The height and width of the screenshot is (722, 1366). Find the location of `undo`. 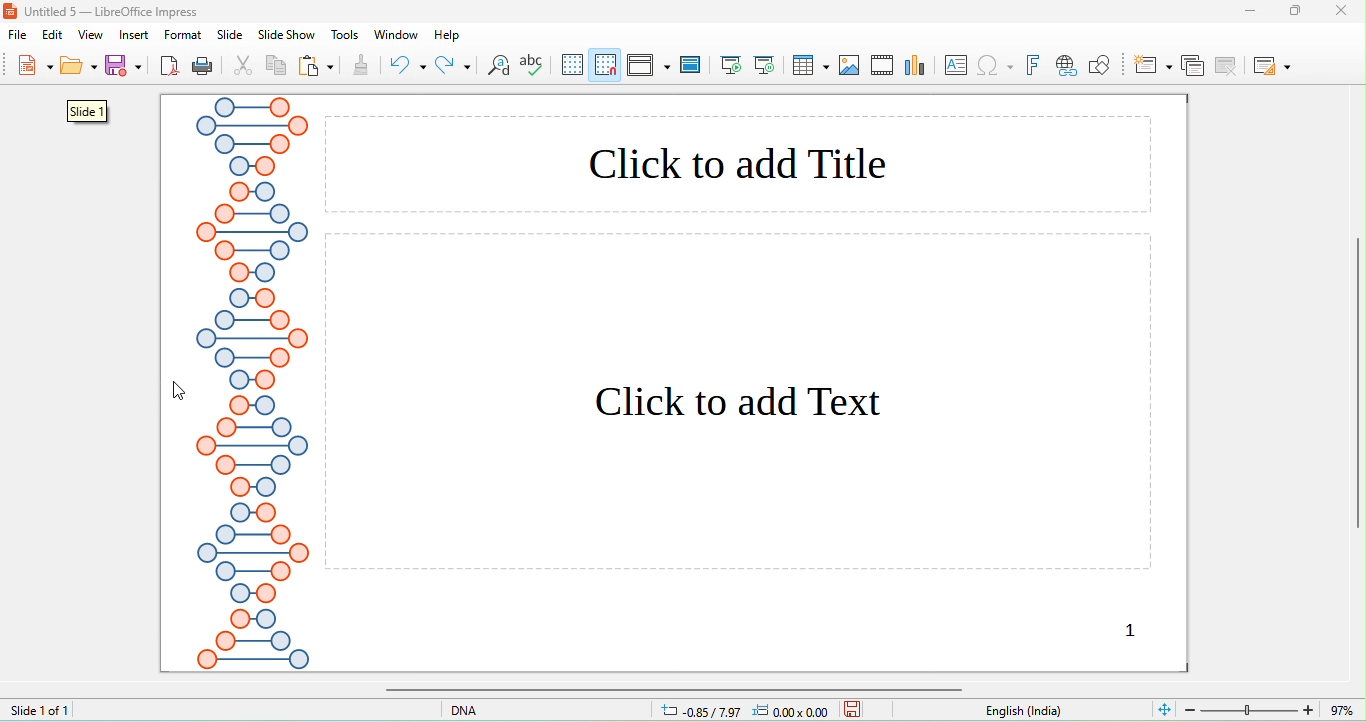

undo is located at coordinates (408, 65).